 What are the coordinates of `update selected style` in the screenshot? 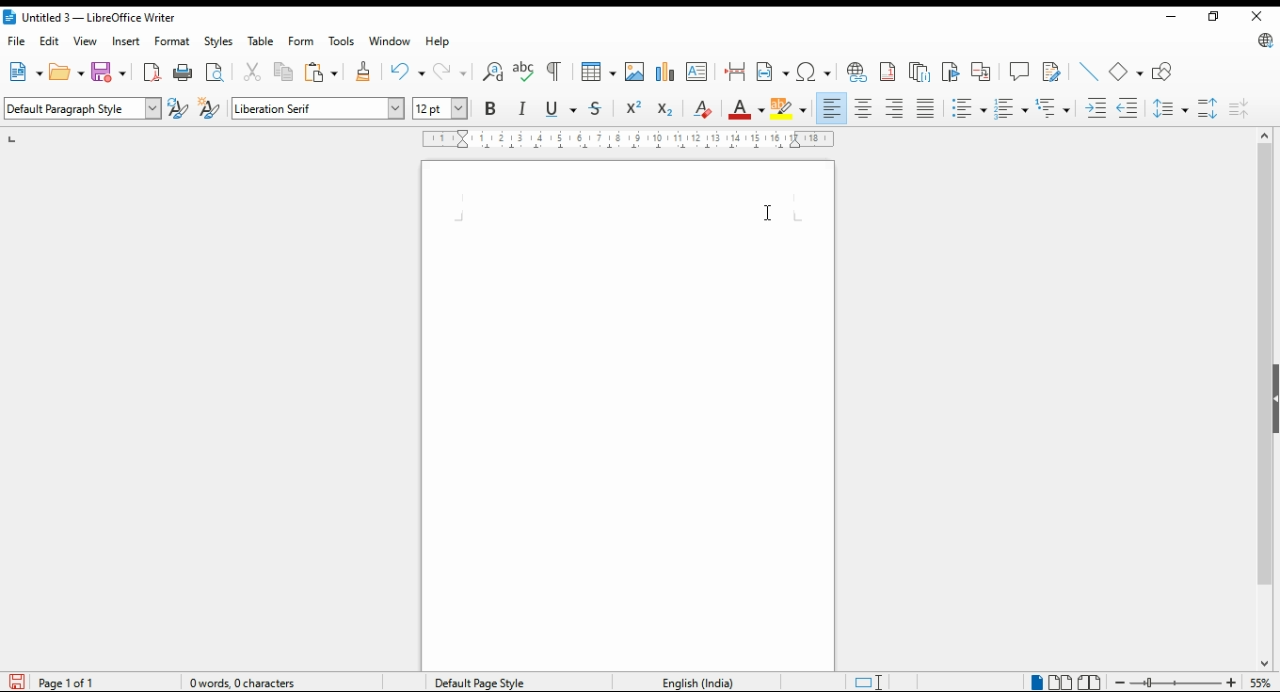 It's located at (179, 108).